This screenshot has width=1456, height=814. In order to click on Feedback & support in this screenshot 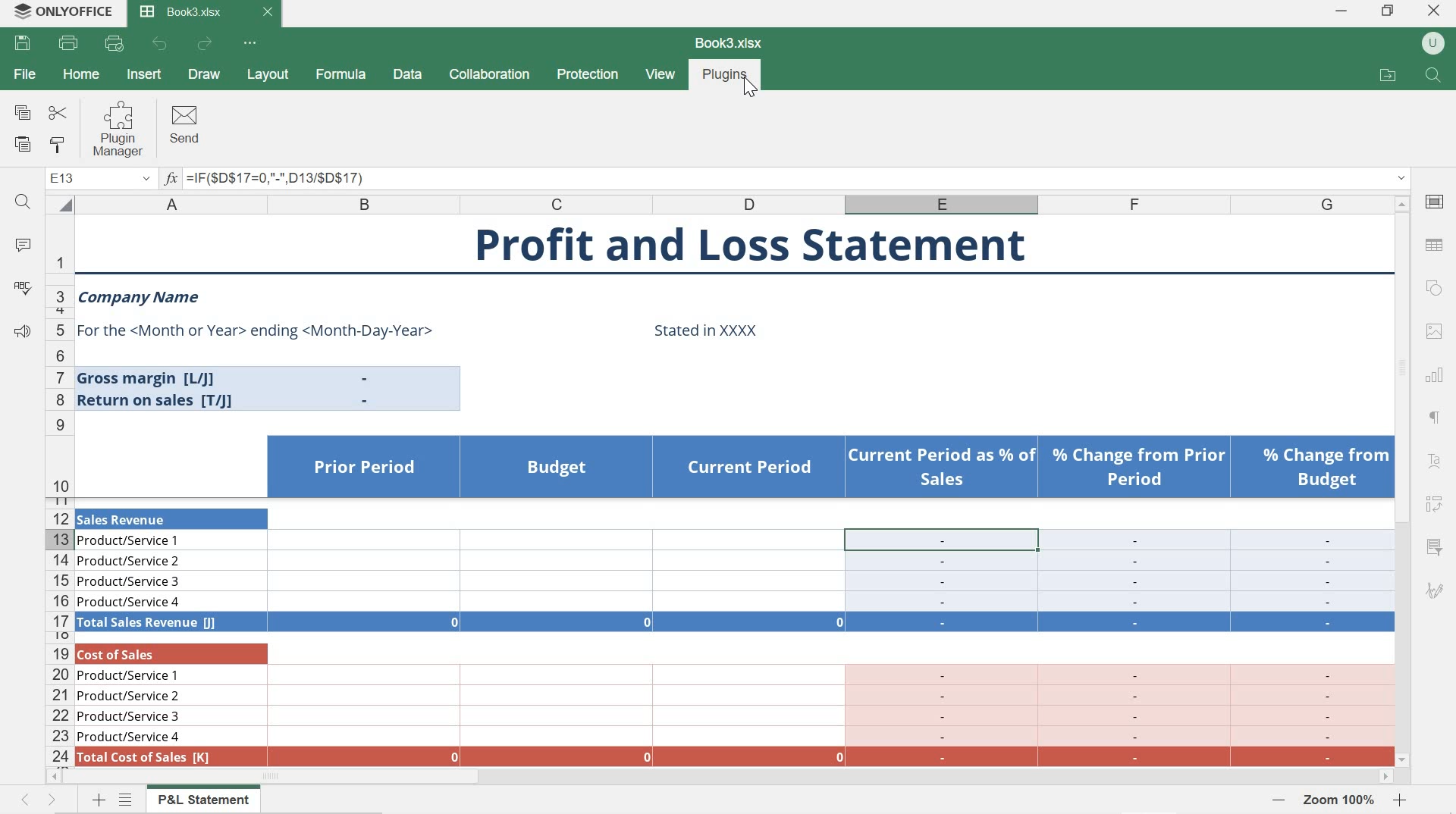, I will do `click(21, 333)`.